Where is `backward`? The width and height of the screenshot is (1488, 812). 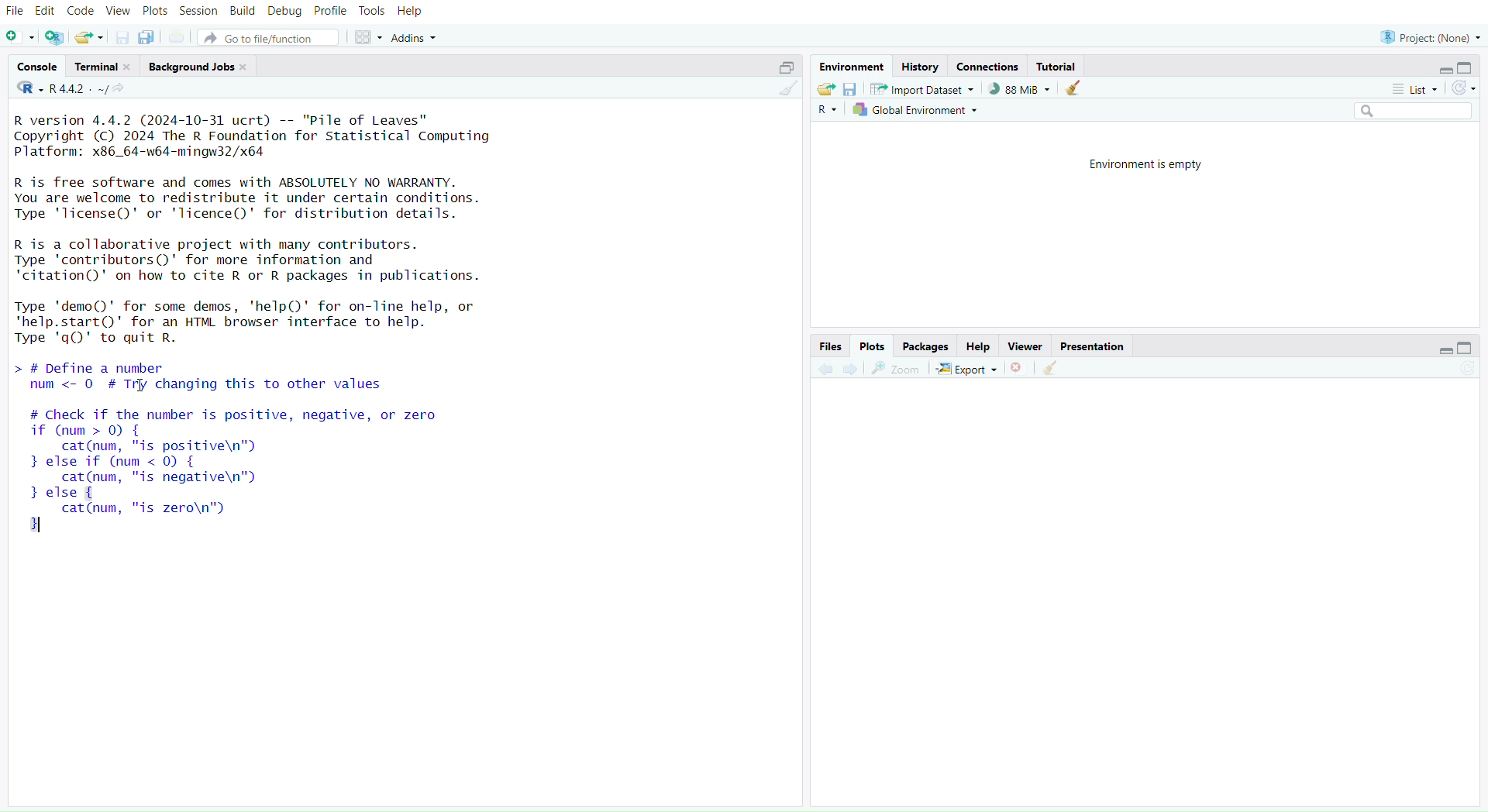 backward is located at coordinates (825, 368).